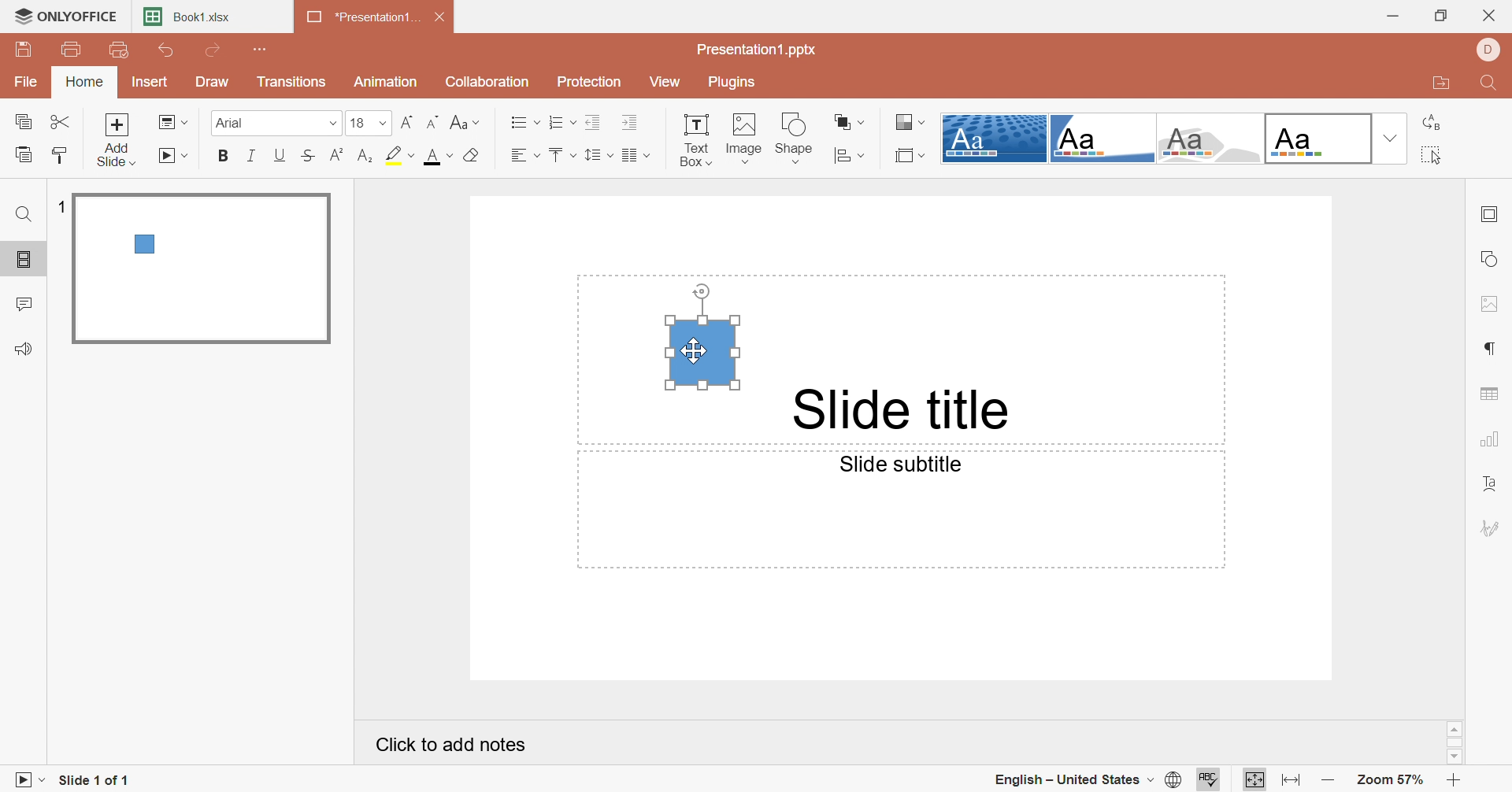 Image resolution: width=1512 pixels, height=792 pixels. I want to click on Bullets, so click(525, 123).